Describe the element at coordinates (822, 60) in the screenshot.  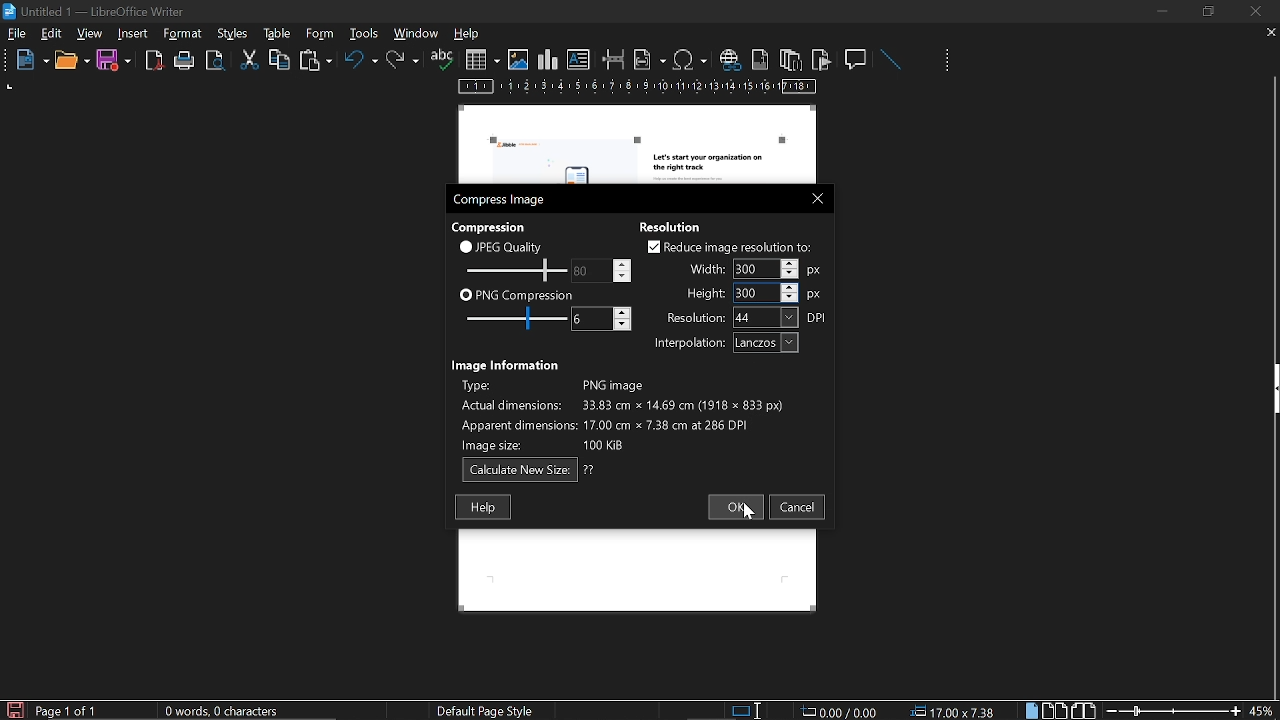
I see `insert bookmark` at that location.